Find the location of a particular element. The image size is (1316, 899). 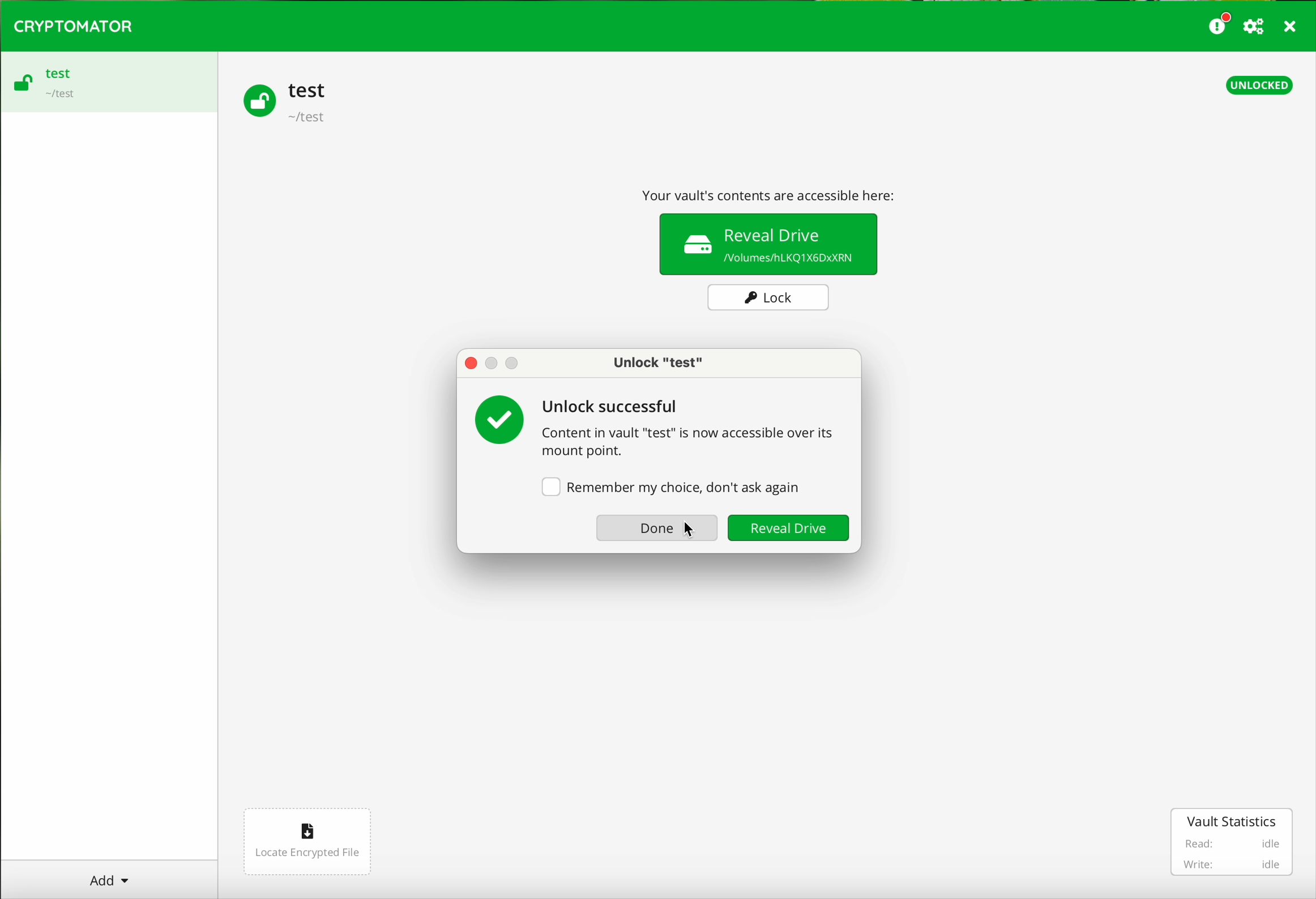

CRYPTOMATOR is located at coordinates (73, 24).